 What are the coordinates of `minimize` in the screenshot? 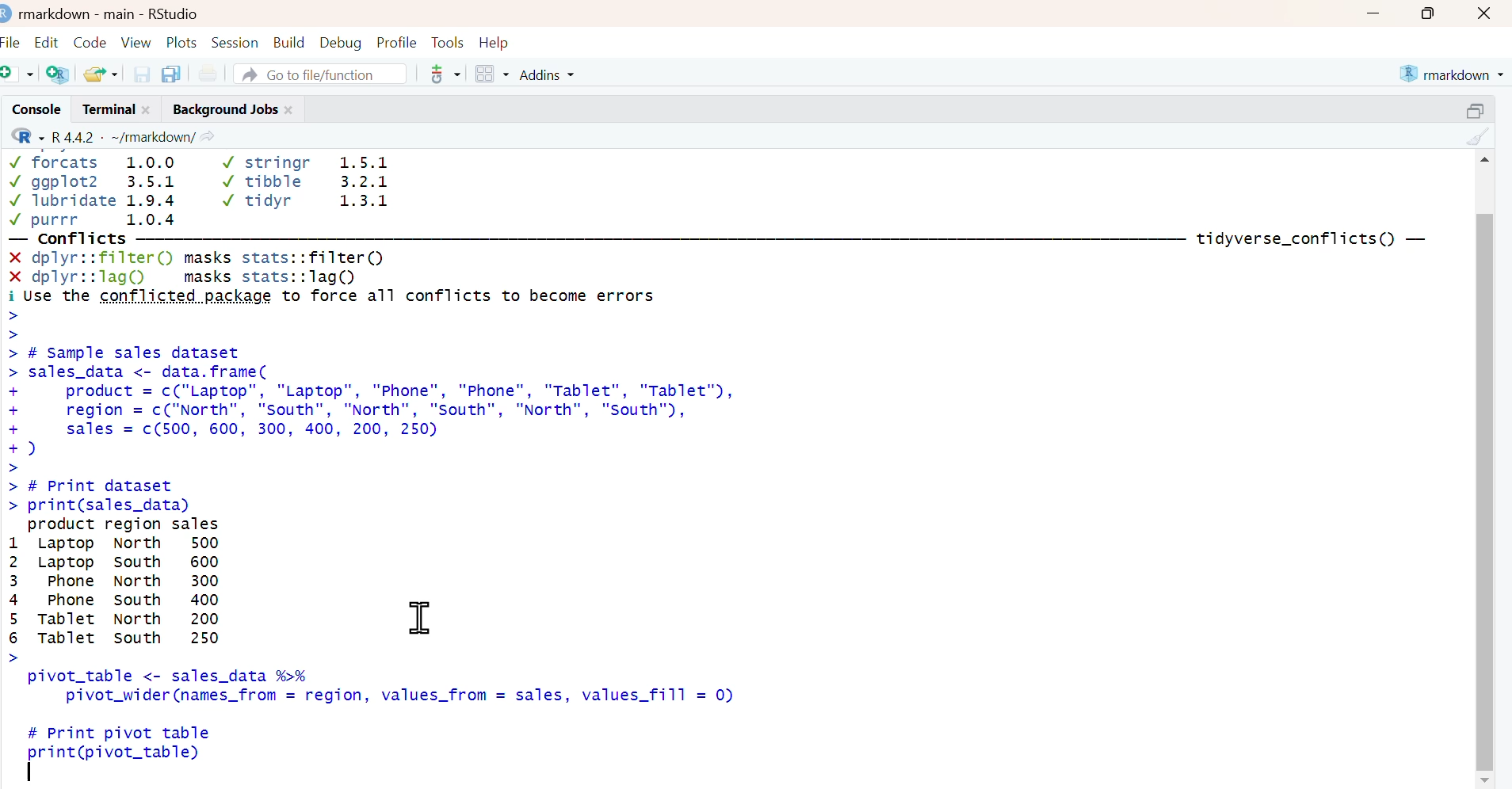 It's located at (1373, 13).